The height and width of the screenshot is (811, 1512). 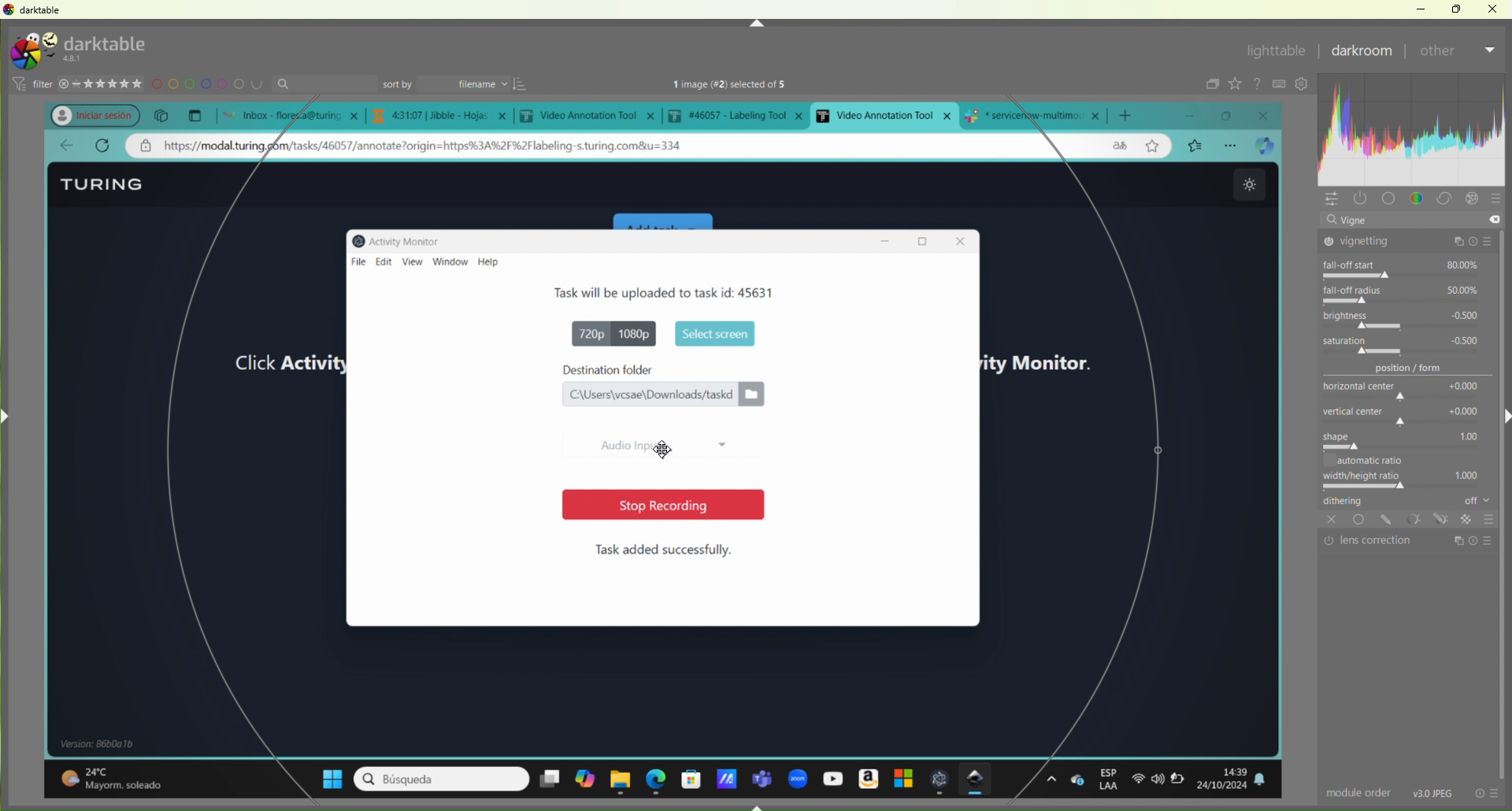 What do you see at coordinates (1136, 783) in the screenshot?
I see `wifi` at bounding box center [1136, 783].